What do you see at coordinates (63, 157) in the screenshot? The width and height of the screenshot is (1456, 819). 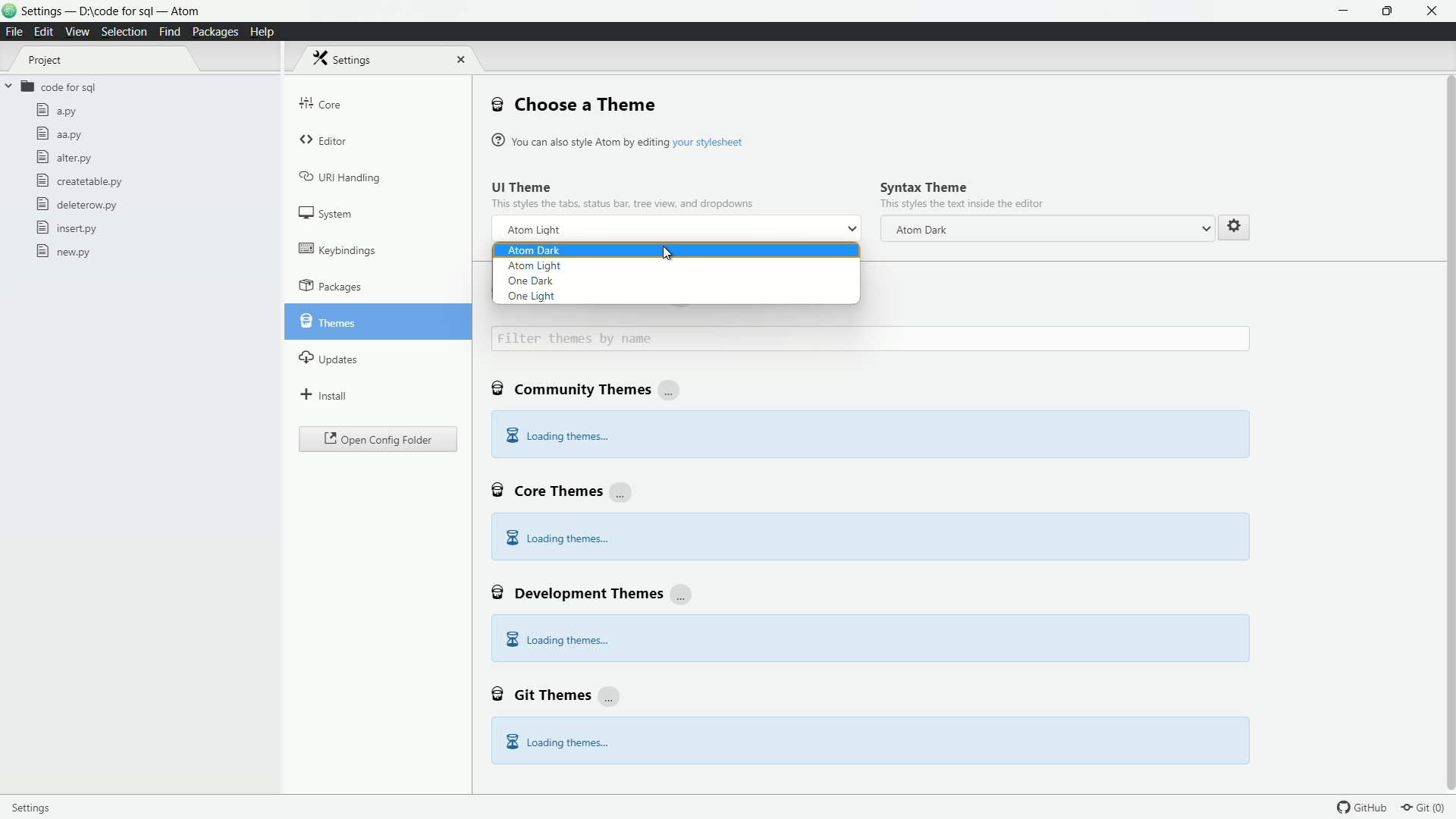 I see `alter.py file` at bounding box center [63, 157].